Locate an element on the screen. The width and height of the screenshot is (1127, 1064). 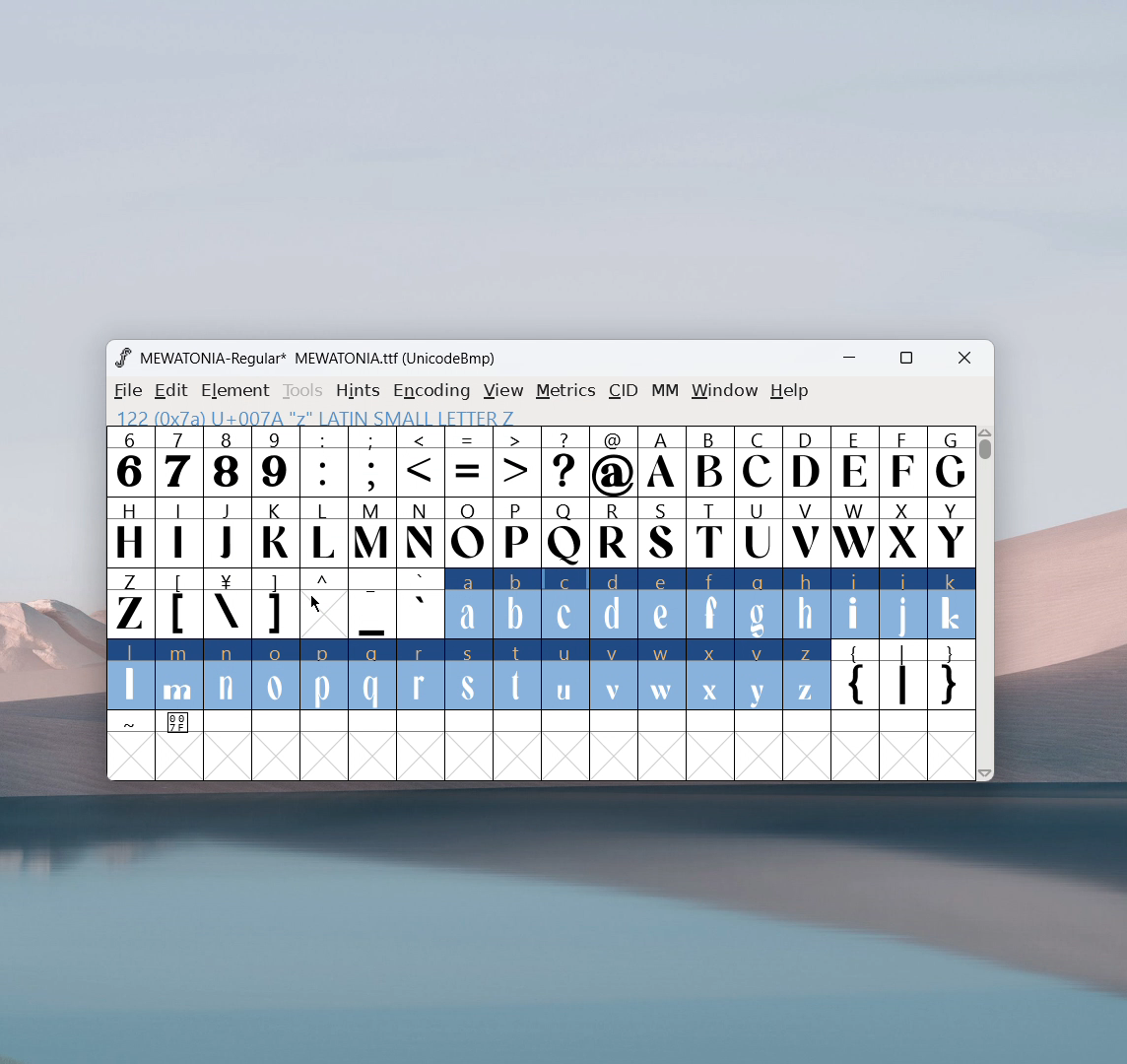
G is located at coordinates (951, 461).